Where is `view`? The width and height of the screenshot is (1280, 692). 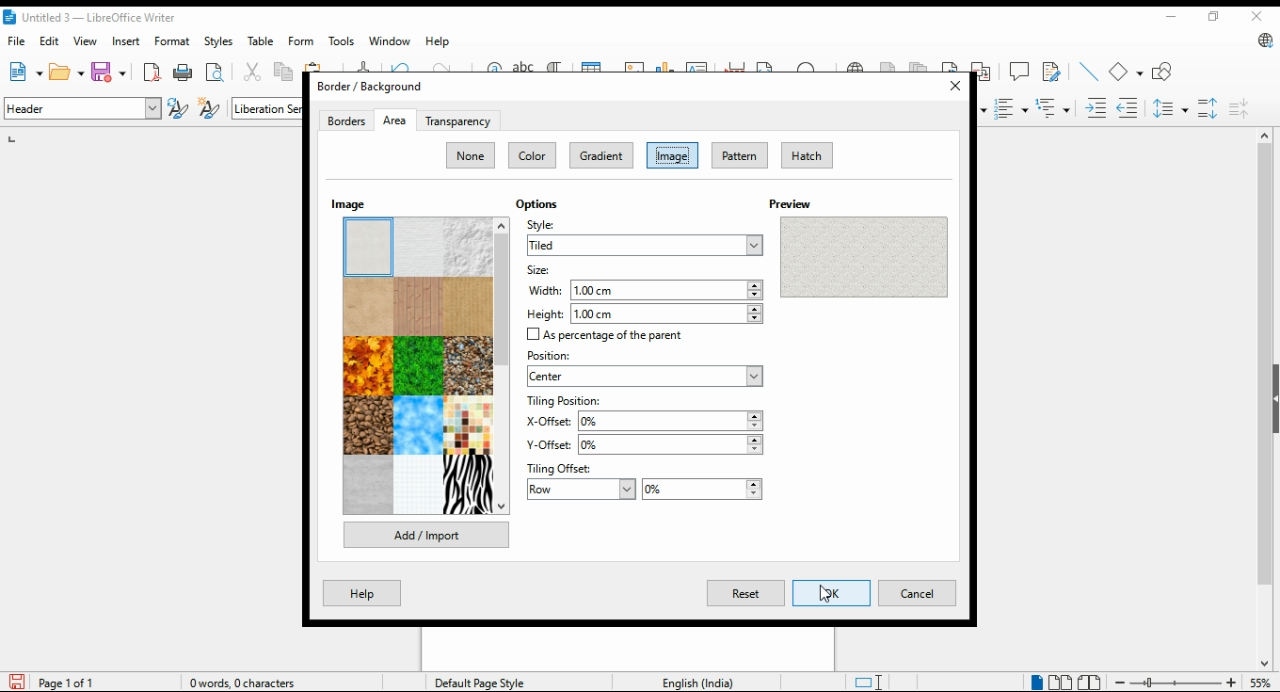 view is located at coordinates (85, 41).